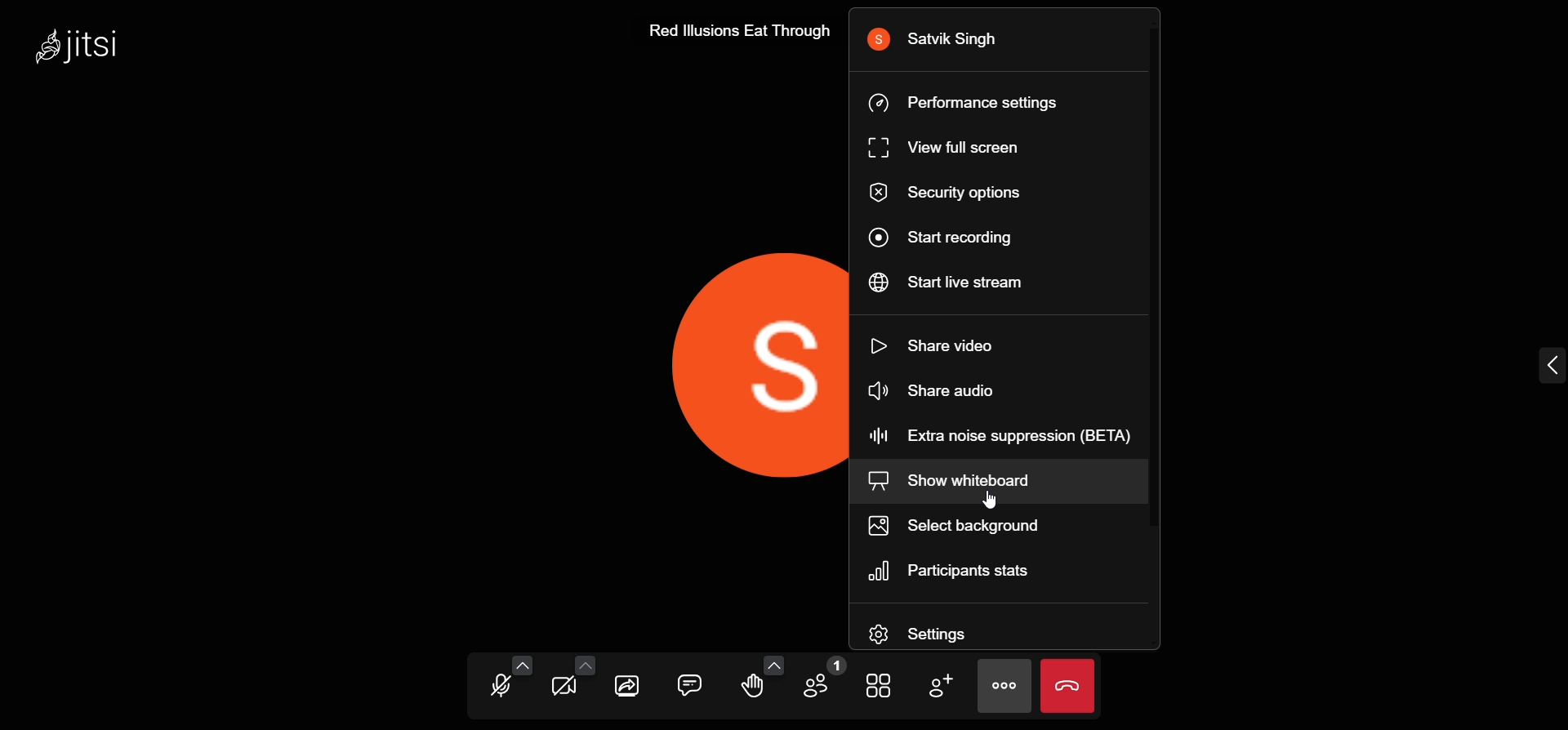  What do you see at coordinates (956, 480) in the screenshot?
I see `show whiteboard` at bounding box center [956, 480].